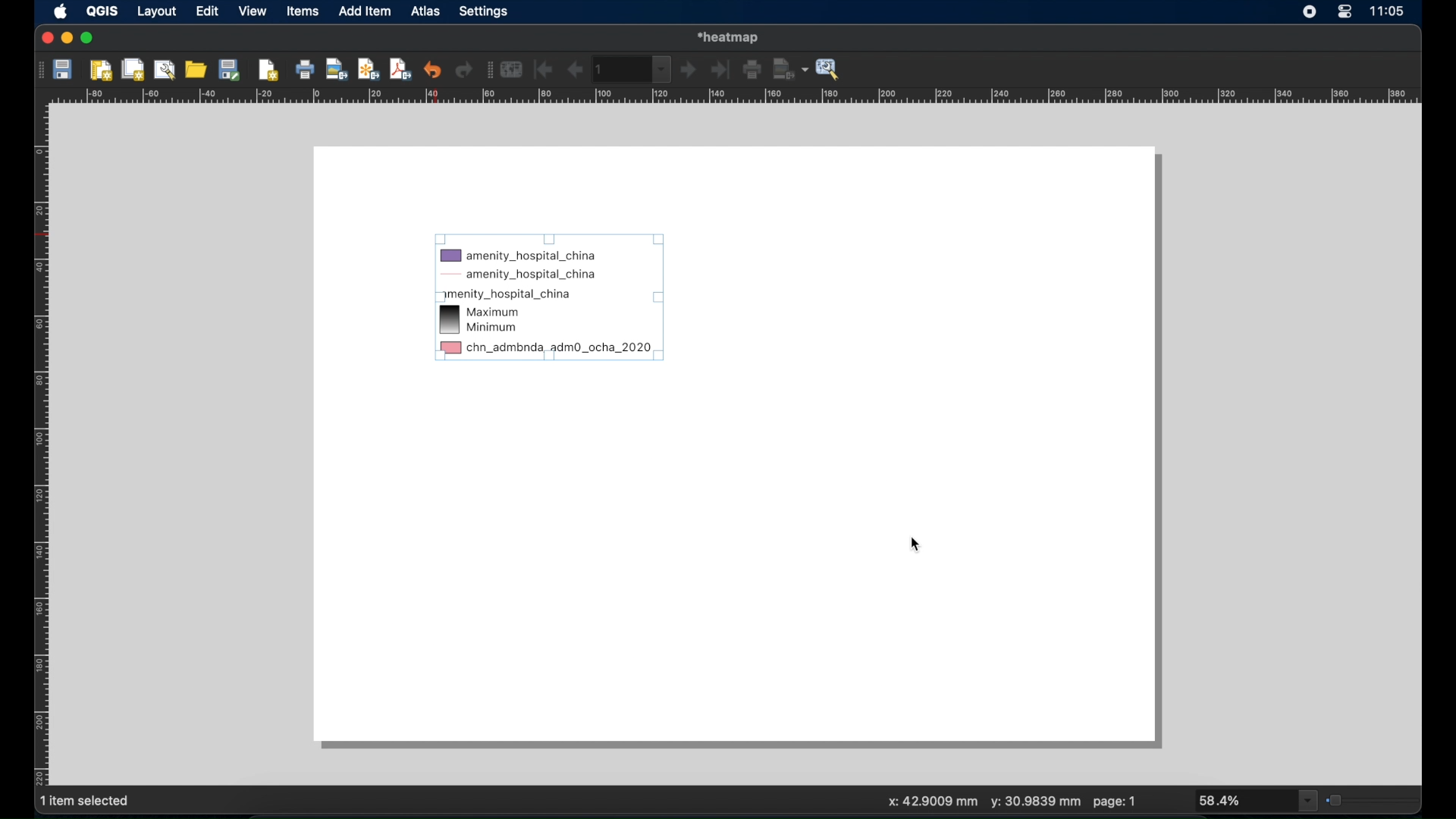 Image resolution: width=1456 pixels, height=819 pixels. I want to click on screen recorder, so click(1310, 13).